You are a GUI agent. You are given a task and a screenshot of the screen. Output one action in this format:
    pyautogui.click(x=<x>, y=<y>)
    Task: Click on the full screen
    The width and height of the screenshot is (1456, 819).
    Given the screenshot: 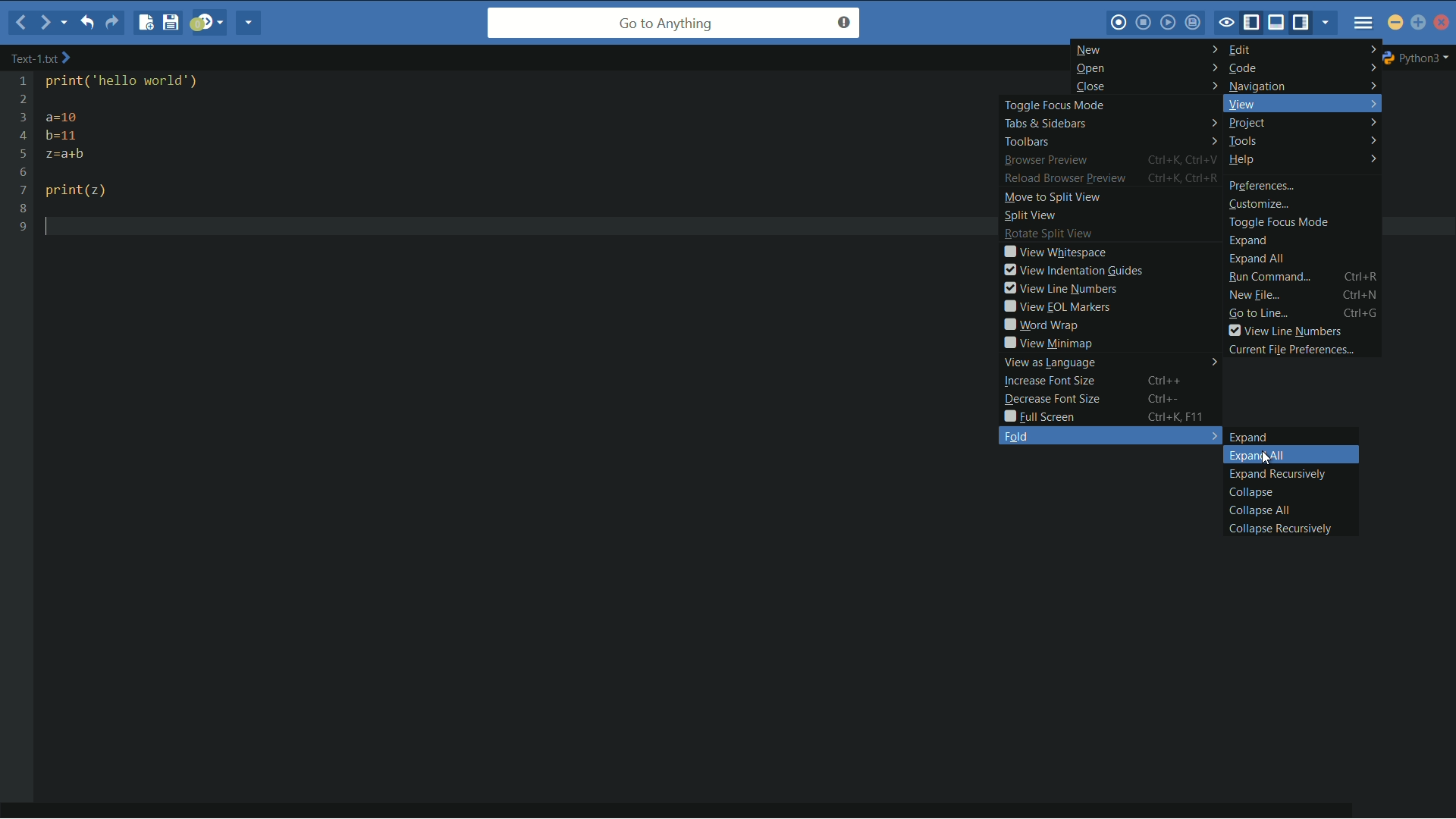 What is the action you would take?
    pyautogui.click(x=1039, y=418)
    